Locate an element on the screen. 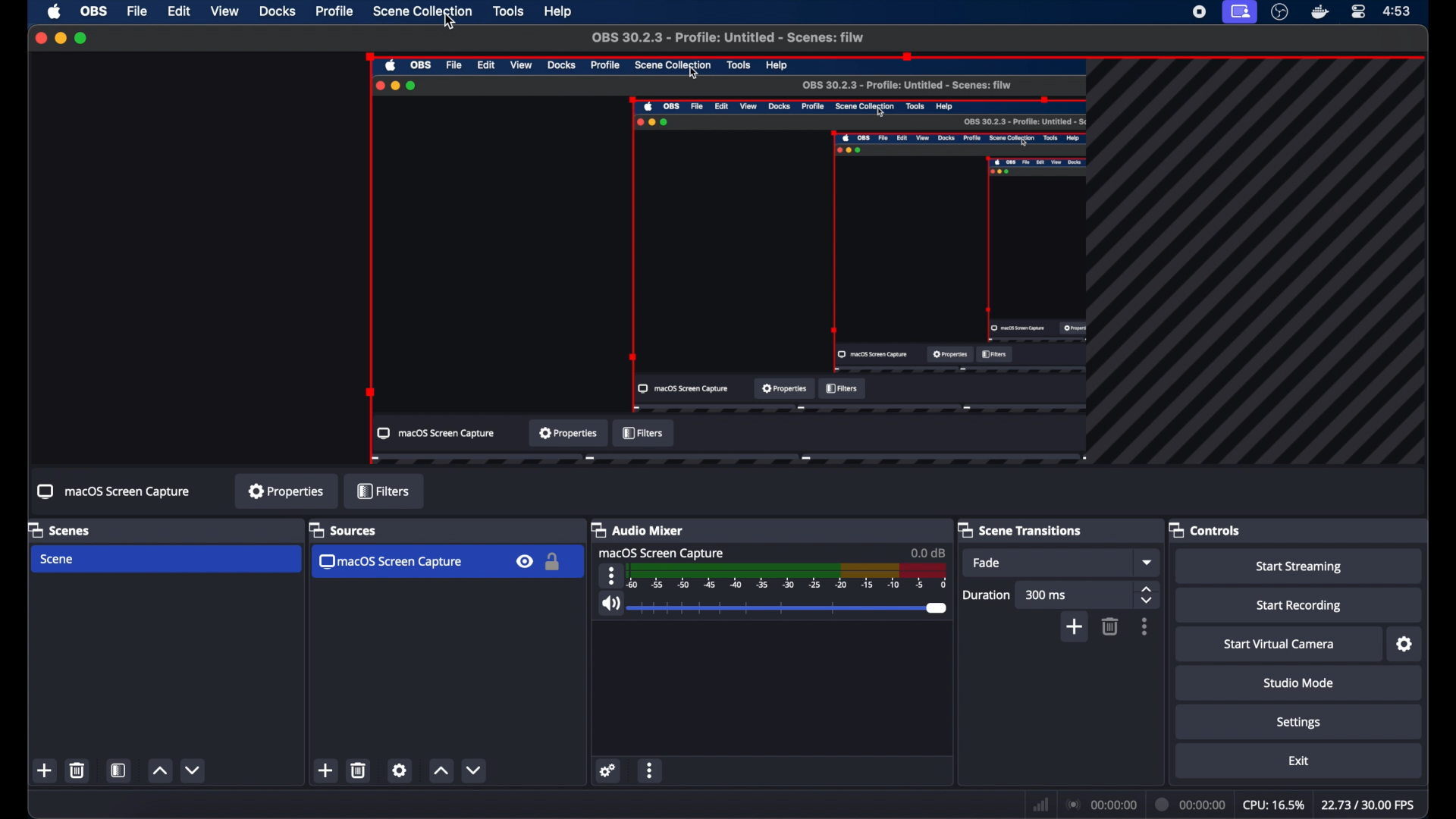 The width and height of the screenshot is (1456, 819). macOS screen capture is located at coordinates (114, 492).